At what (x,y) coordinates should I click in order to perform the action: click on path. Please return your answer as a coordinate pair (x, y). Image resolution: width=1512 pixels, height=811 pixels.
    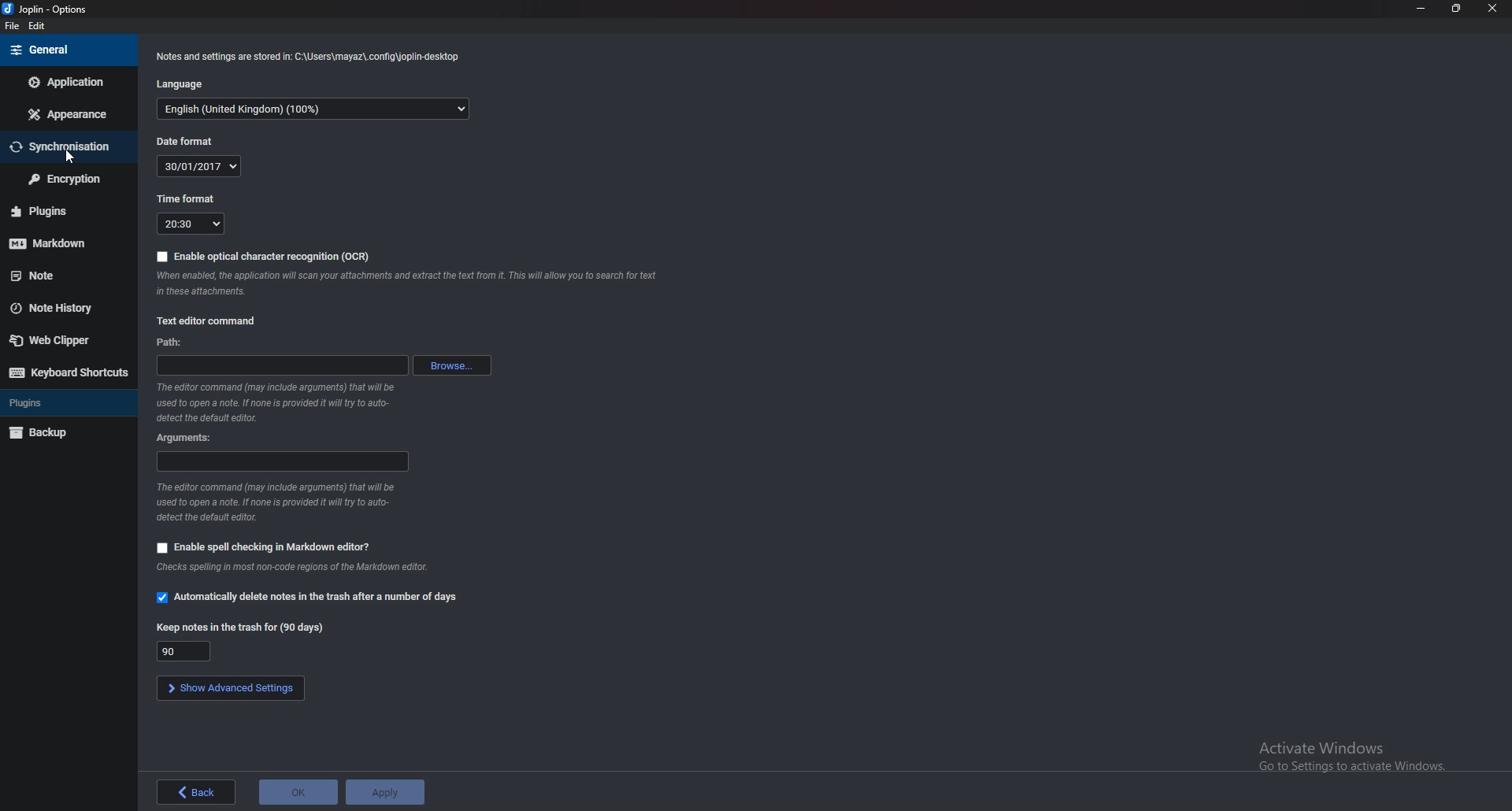
    Looking at the image, I should click on (282, 366).